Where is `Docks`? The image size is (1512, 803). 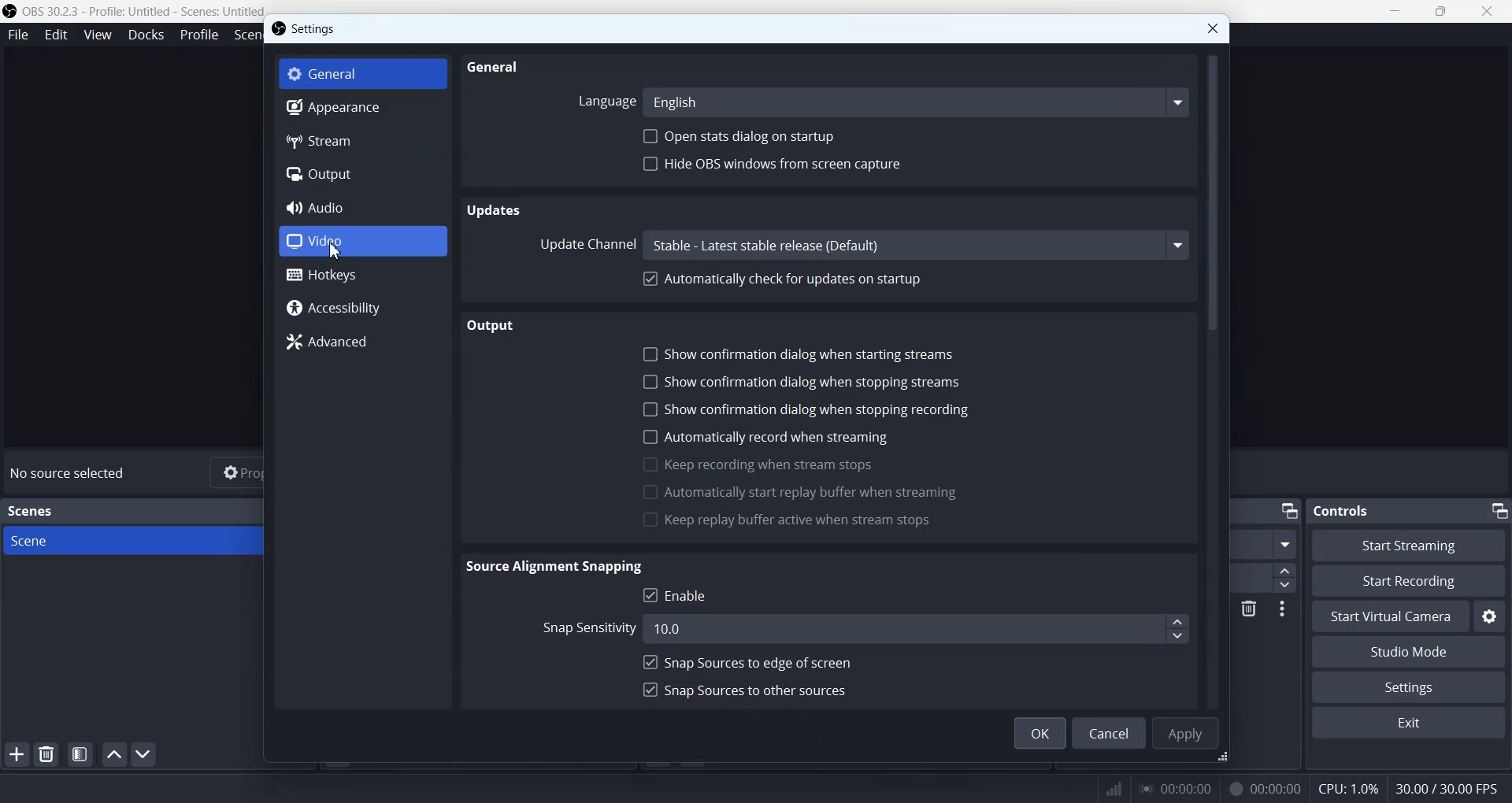
Docks is located at coordinates (145, 35).